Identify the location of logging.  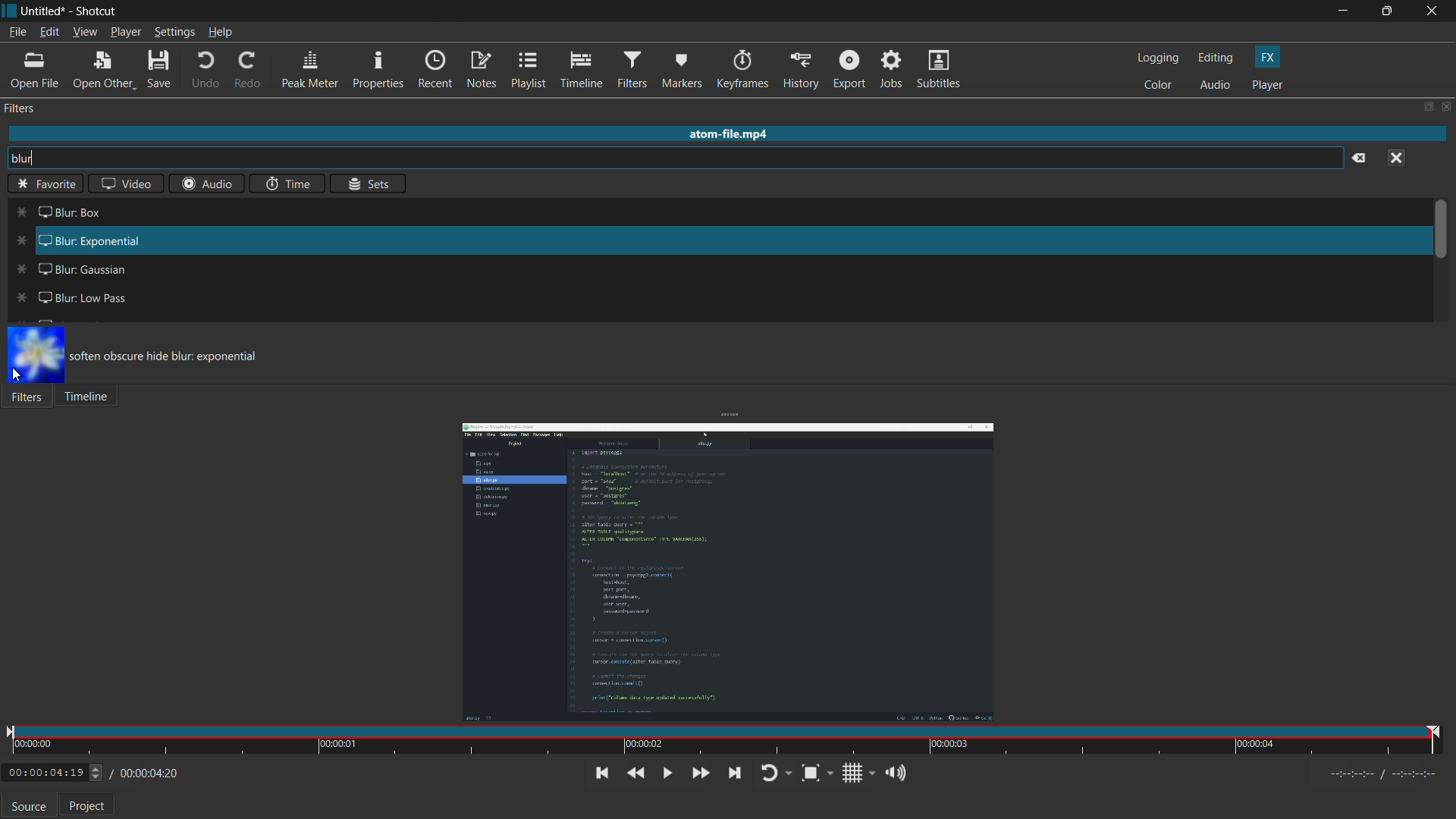
(1158, 58).